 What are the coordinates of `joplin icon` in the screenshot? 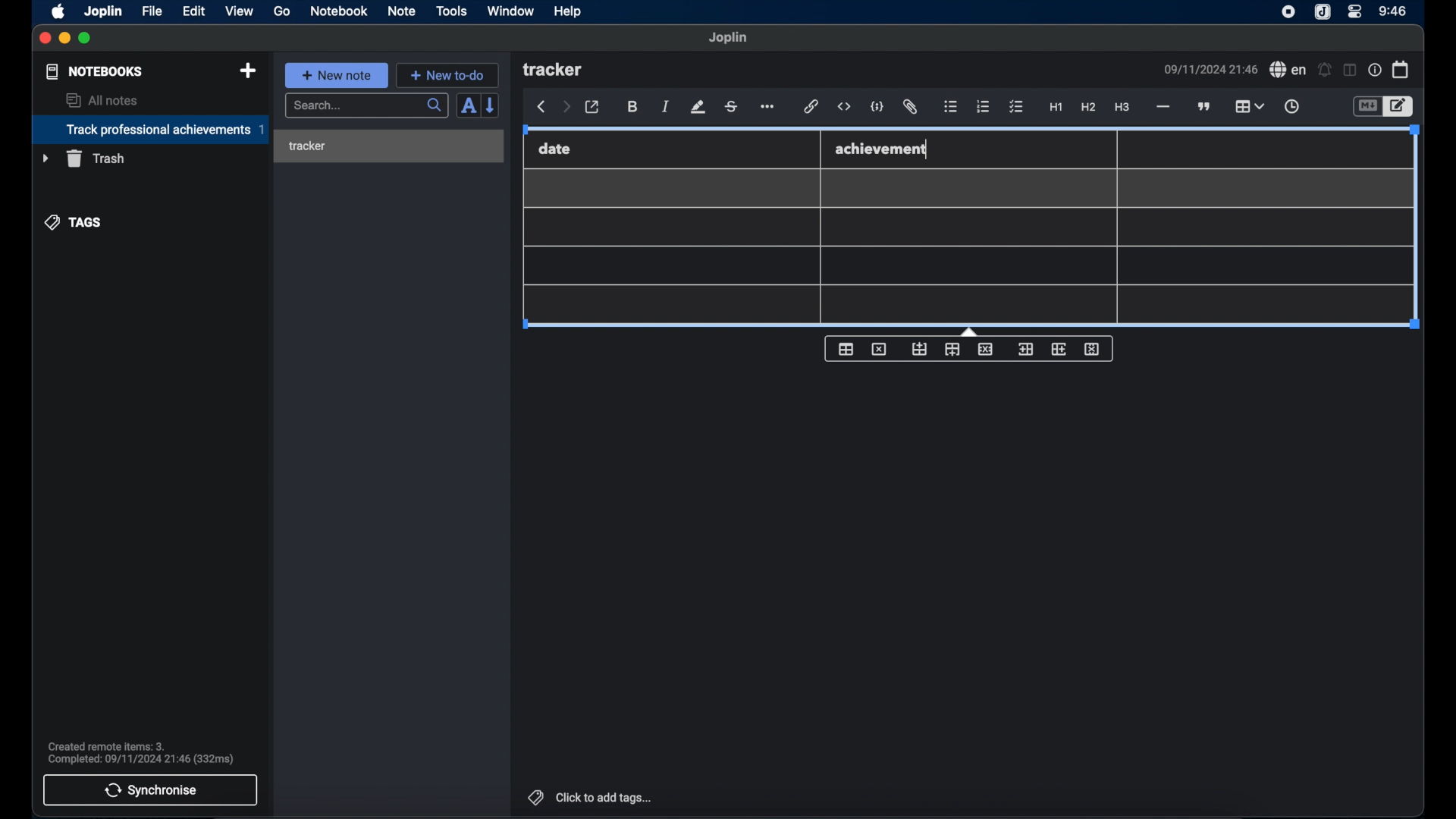 It's located at (1288, 13).